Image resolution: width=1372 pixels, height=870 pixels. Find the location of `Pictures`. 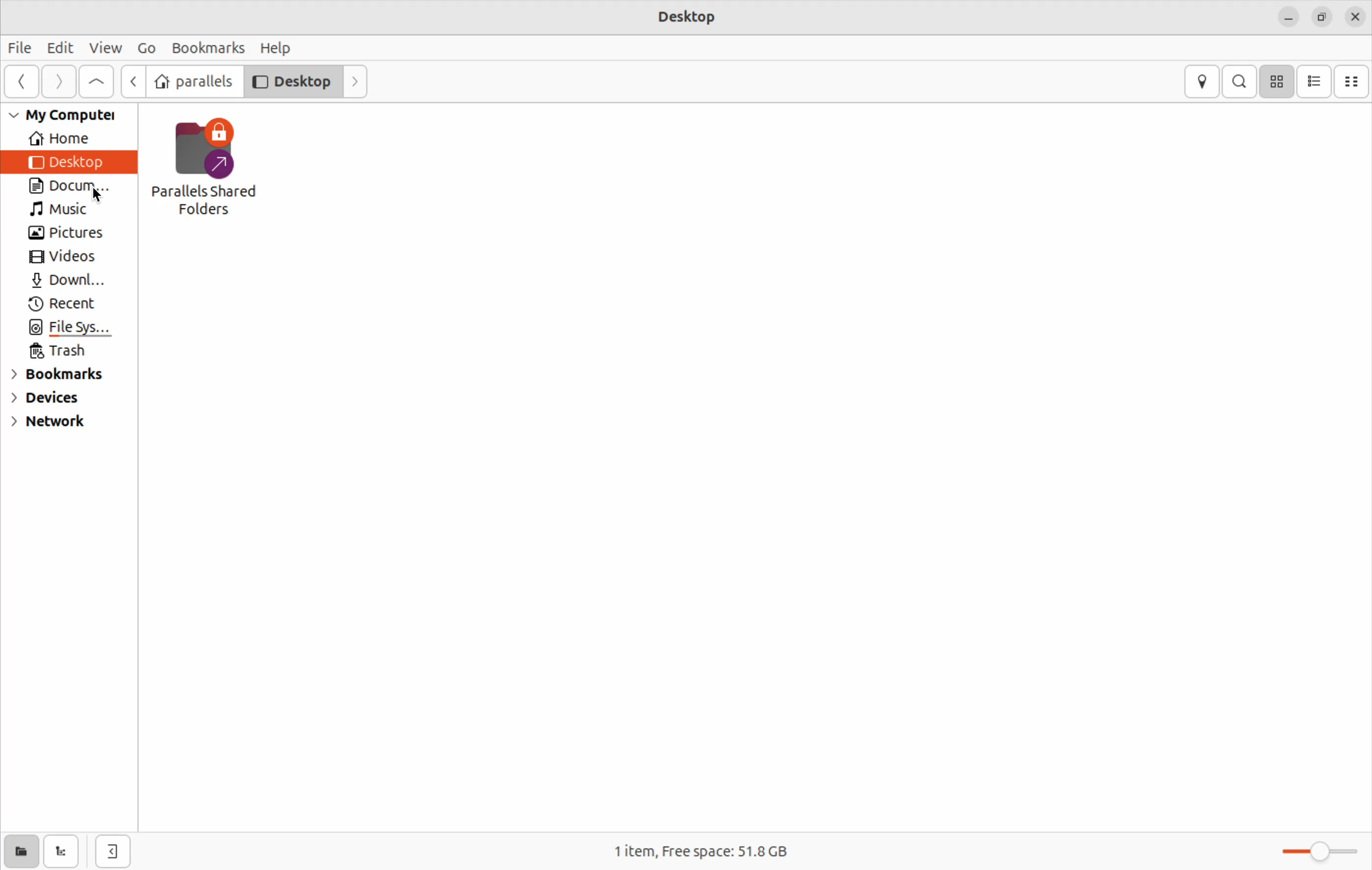

Pictures is located at coordinates (71, 235).